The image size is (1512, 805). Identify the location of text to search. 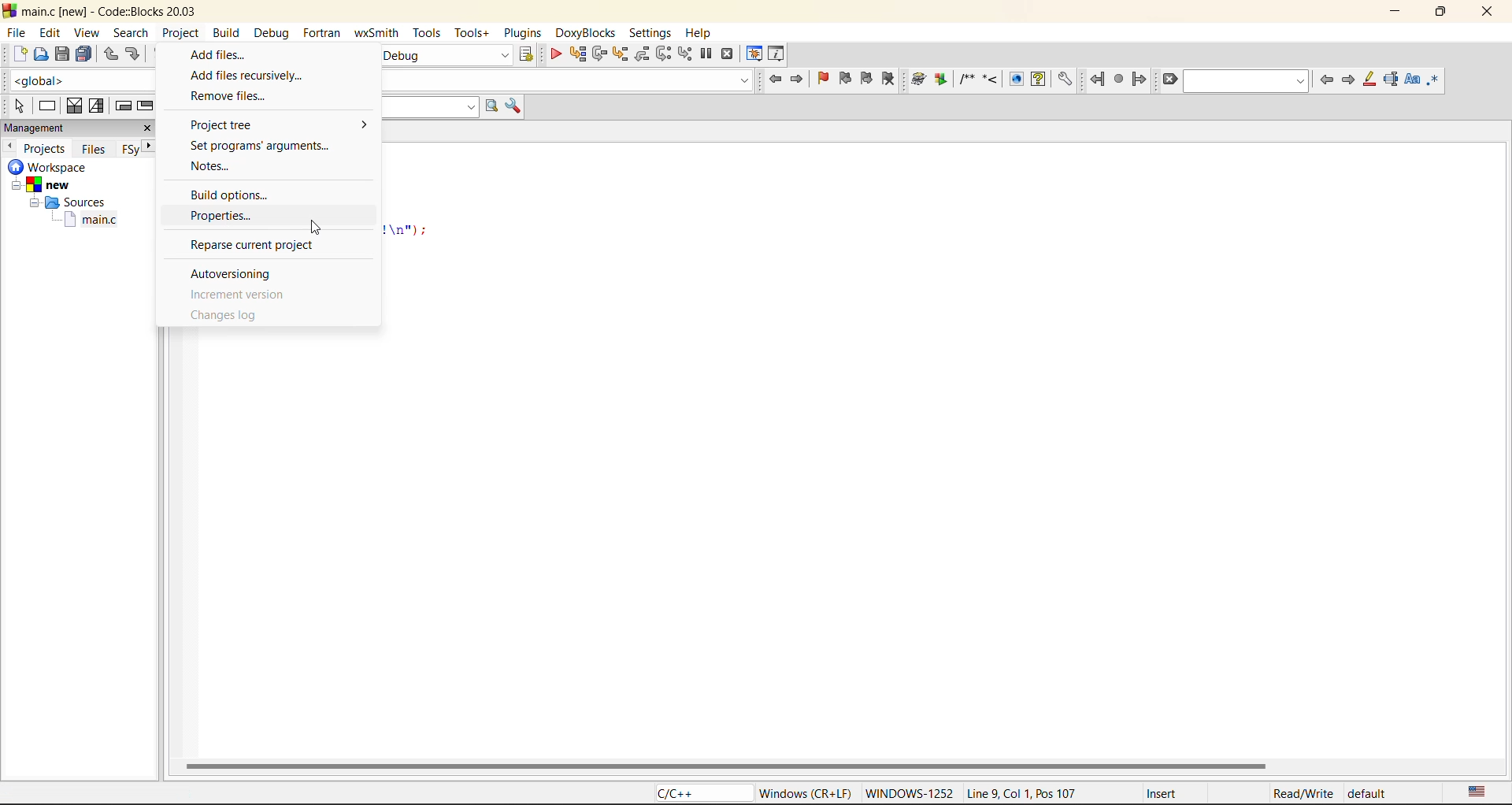
(430, 106).